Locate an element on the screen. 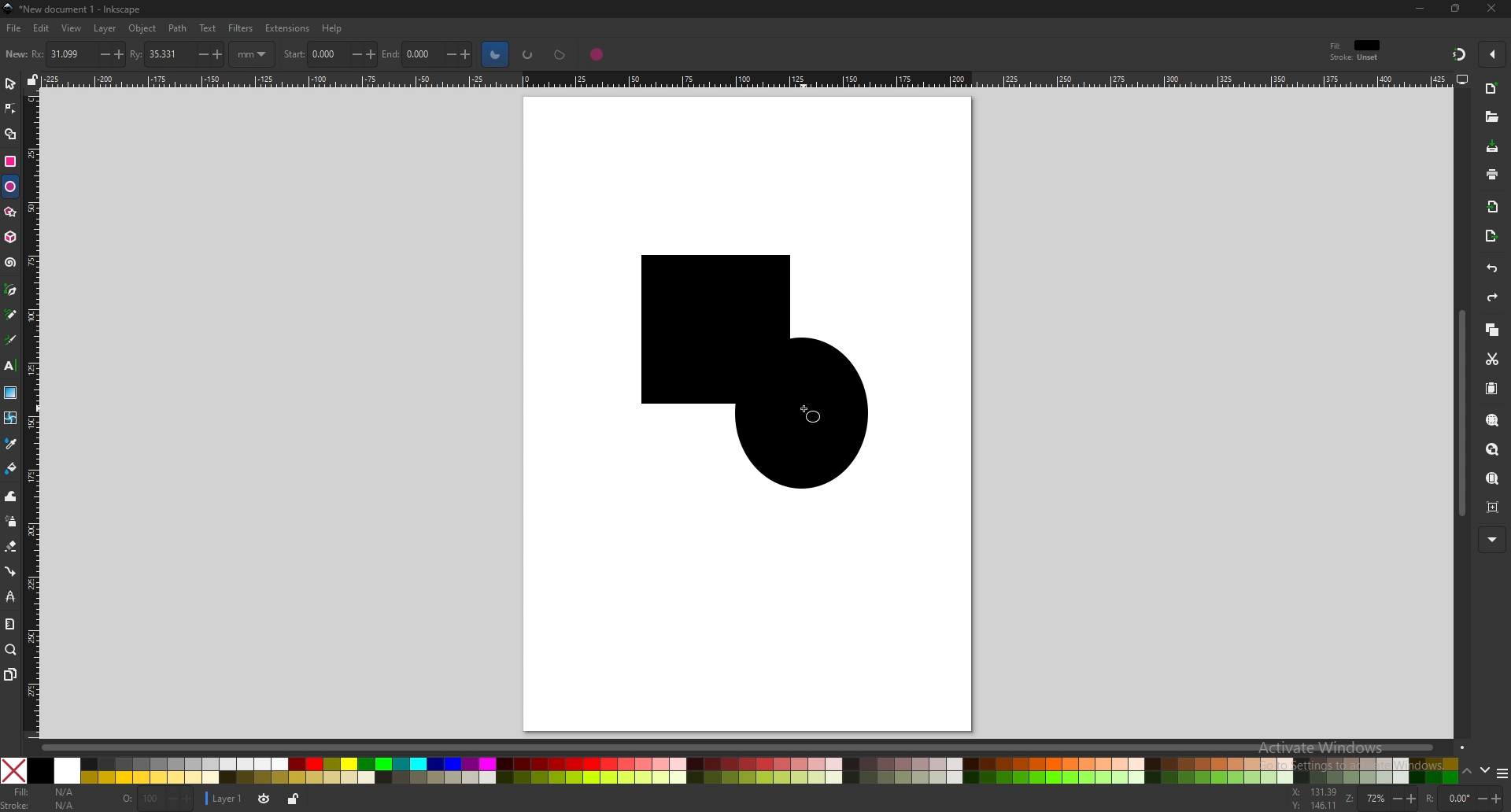 The width and height of the screenshot is (1511, 812). ellipse is located at coordinates (10, 186).